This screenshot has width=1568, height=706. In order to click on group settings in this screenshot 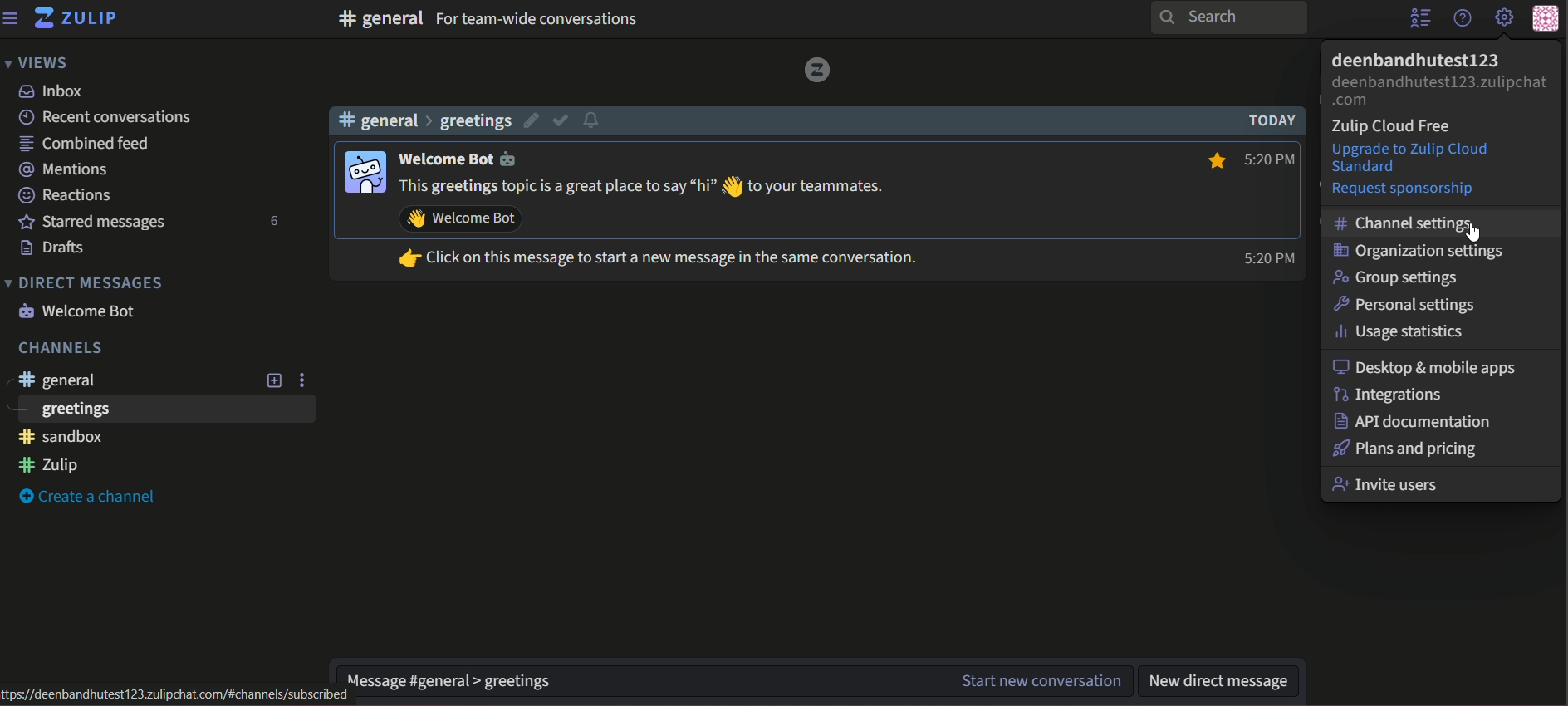, I will do `click(1400, 277)`.